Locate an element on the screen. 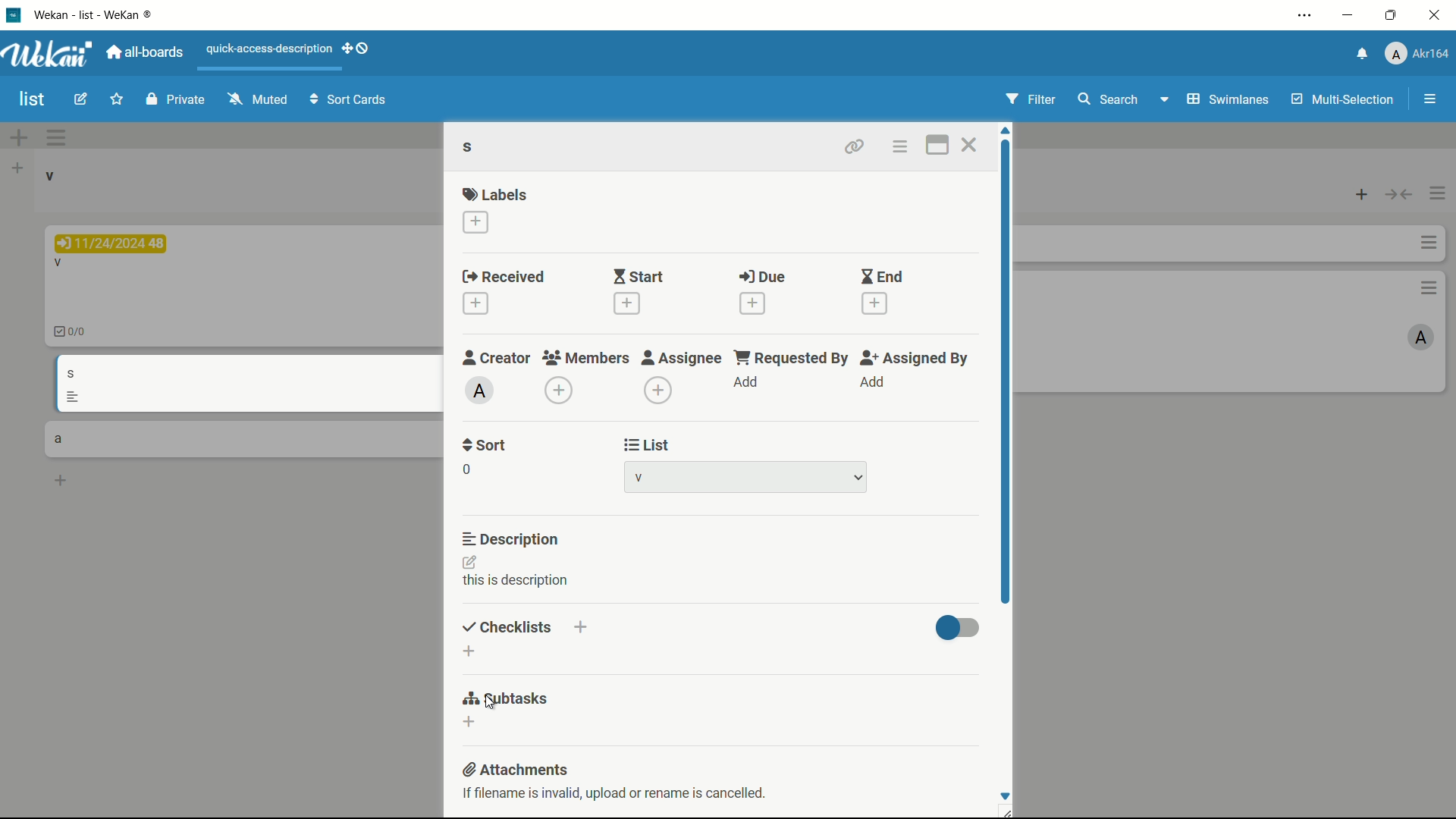 The image size is (1456, 819). notifications is located at coordinates (1361, 55).